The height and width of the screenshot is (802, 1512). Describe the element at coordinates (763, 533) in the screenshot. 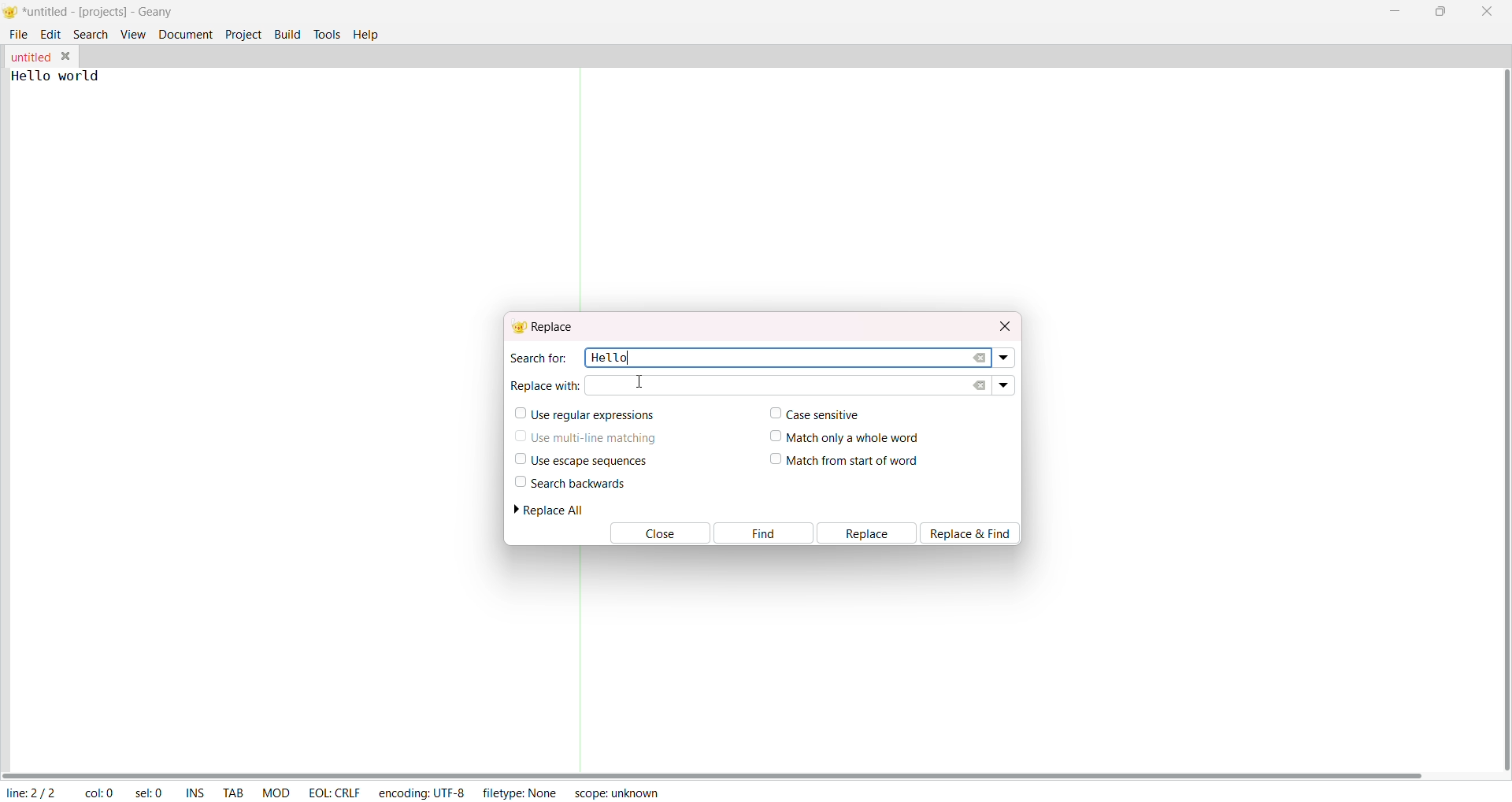

I see `find` at that location.